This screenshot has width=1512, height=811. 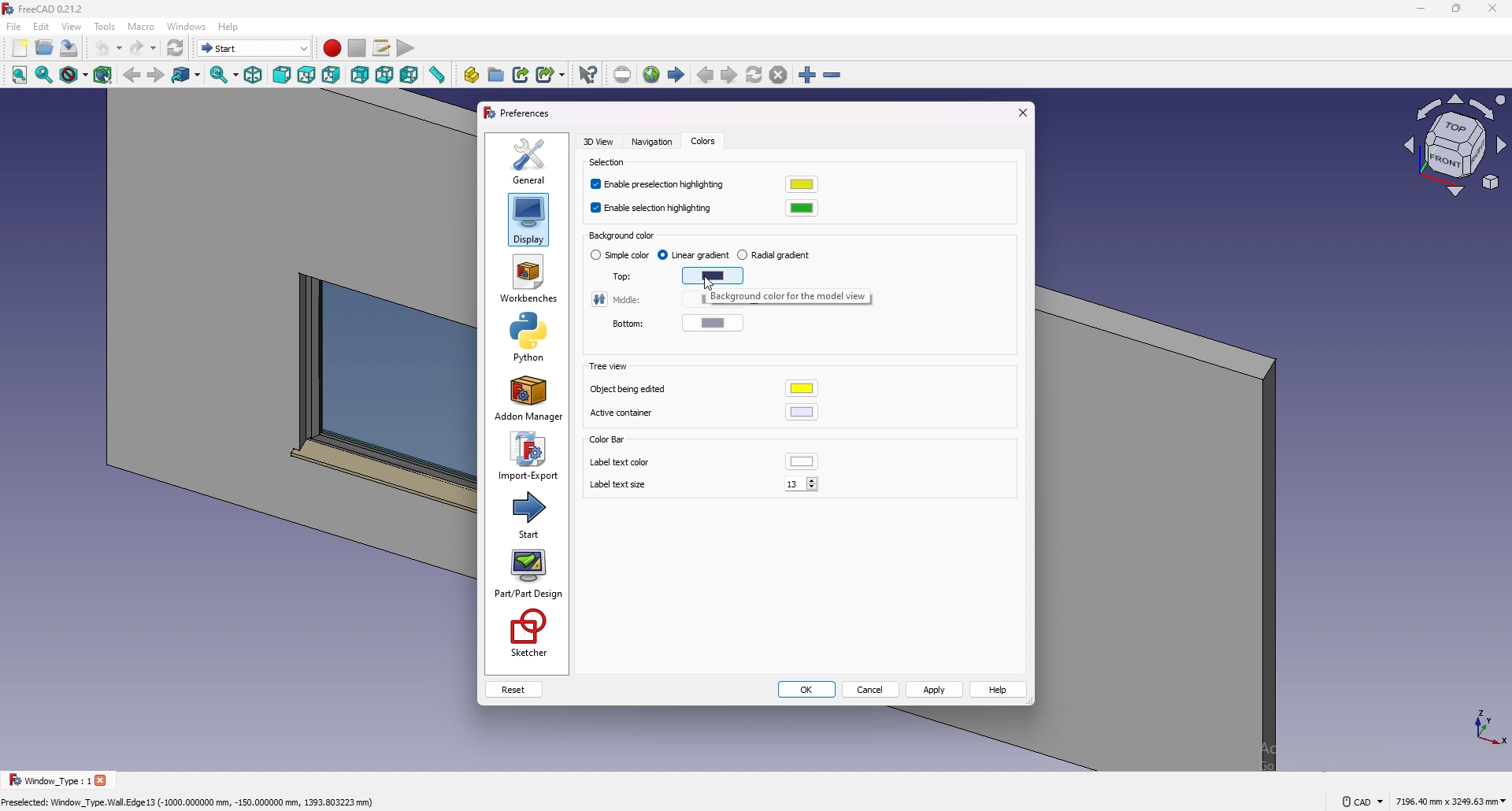 I want to click on isometric, so click(x=254, y=76).